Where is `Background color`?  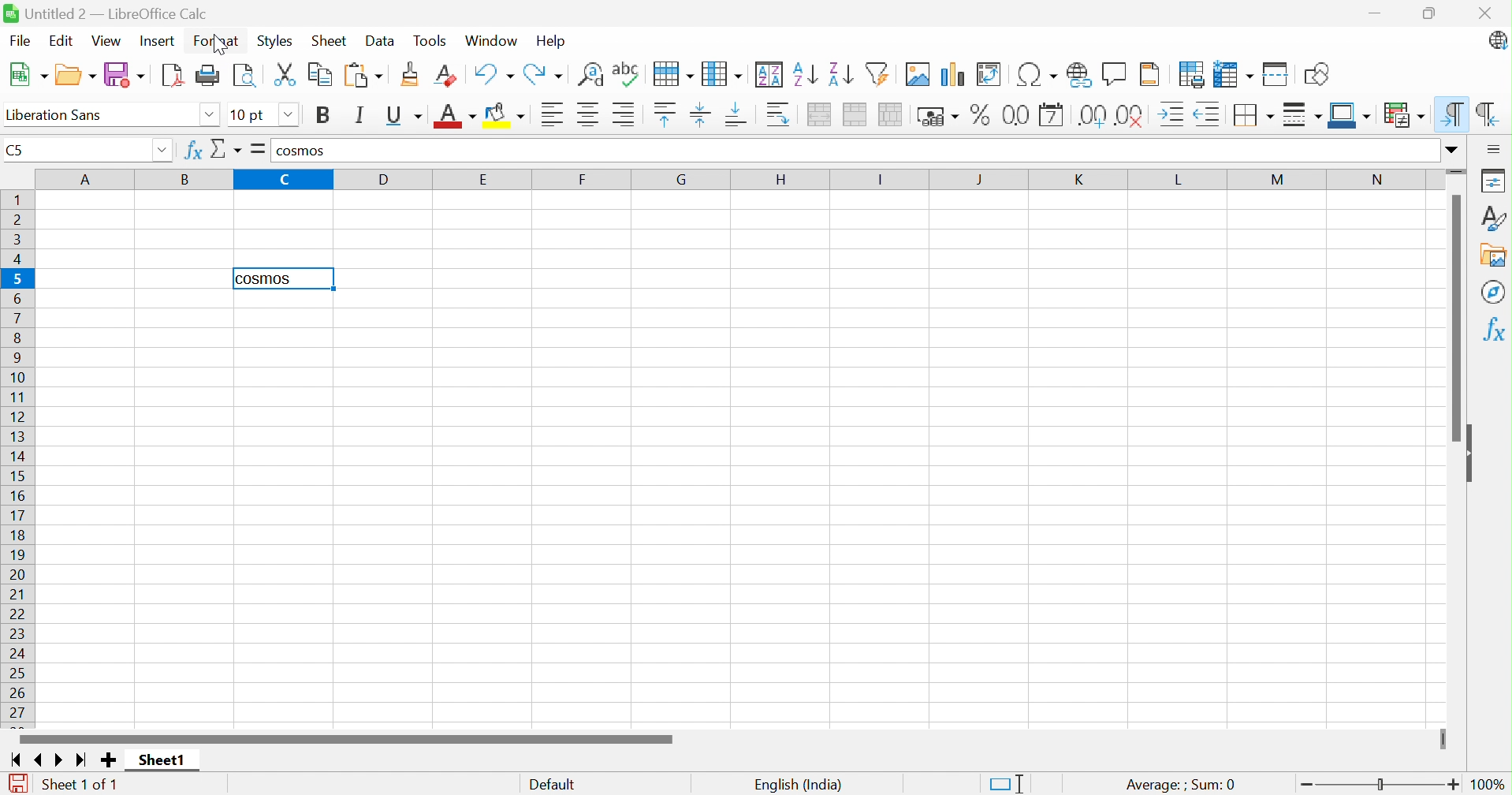
Background color is located at coordinates (505, 115).